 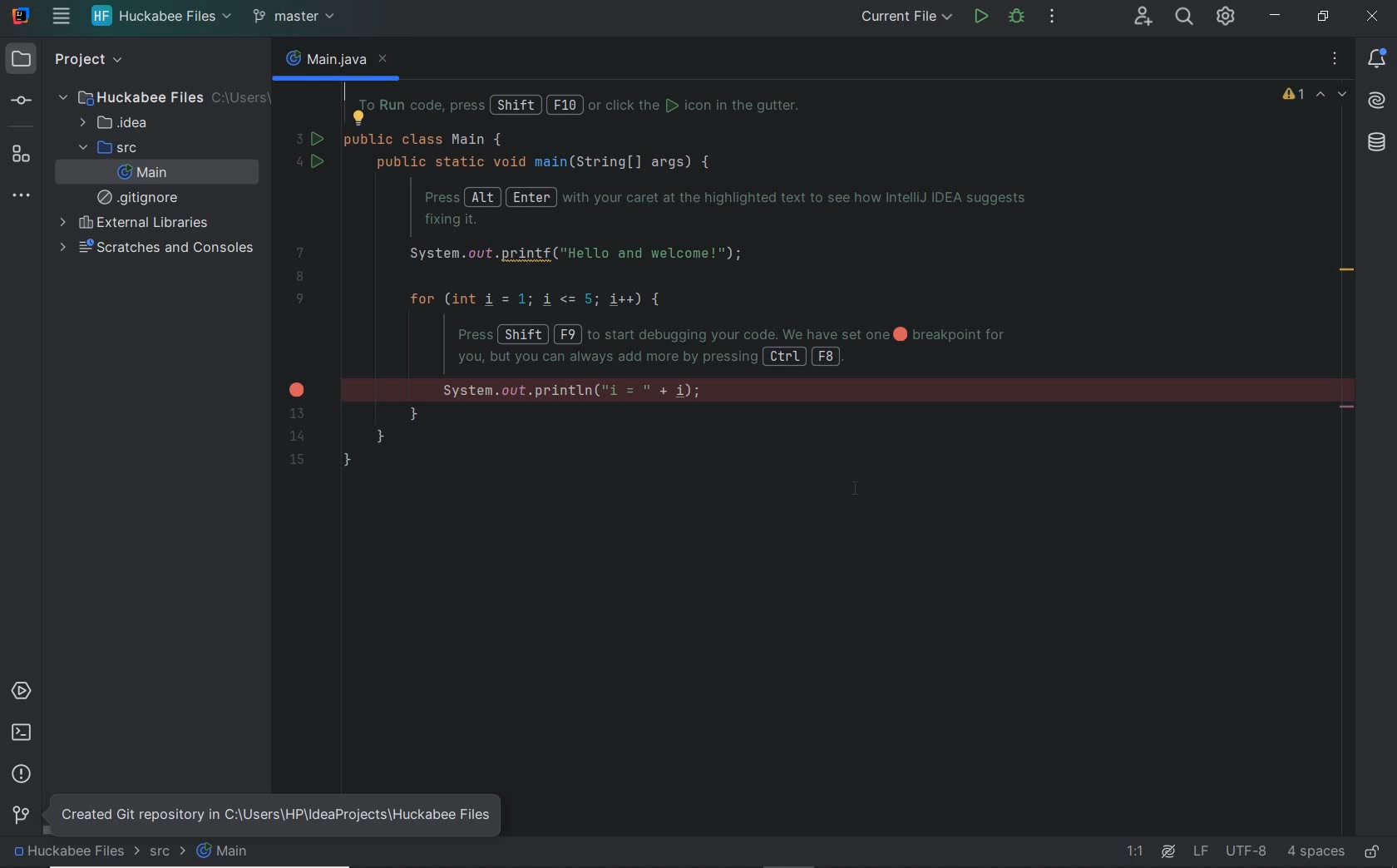 What do you see at coordinates (1276, 18) in the screenshot?
I see `MINIMIZE` at bounding box center [1276, 18].